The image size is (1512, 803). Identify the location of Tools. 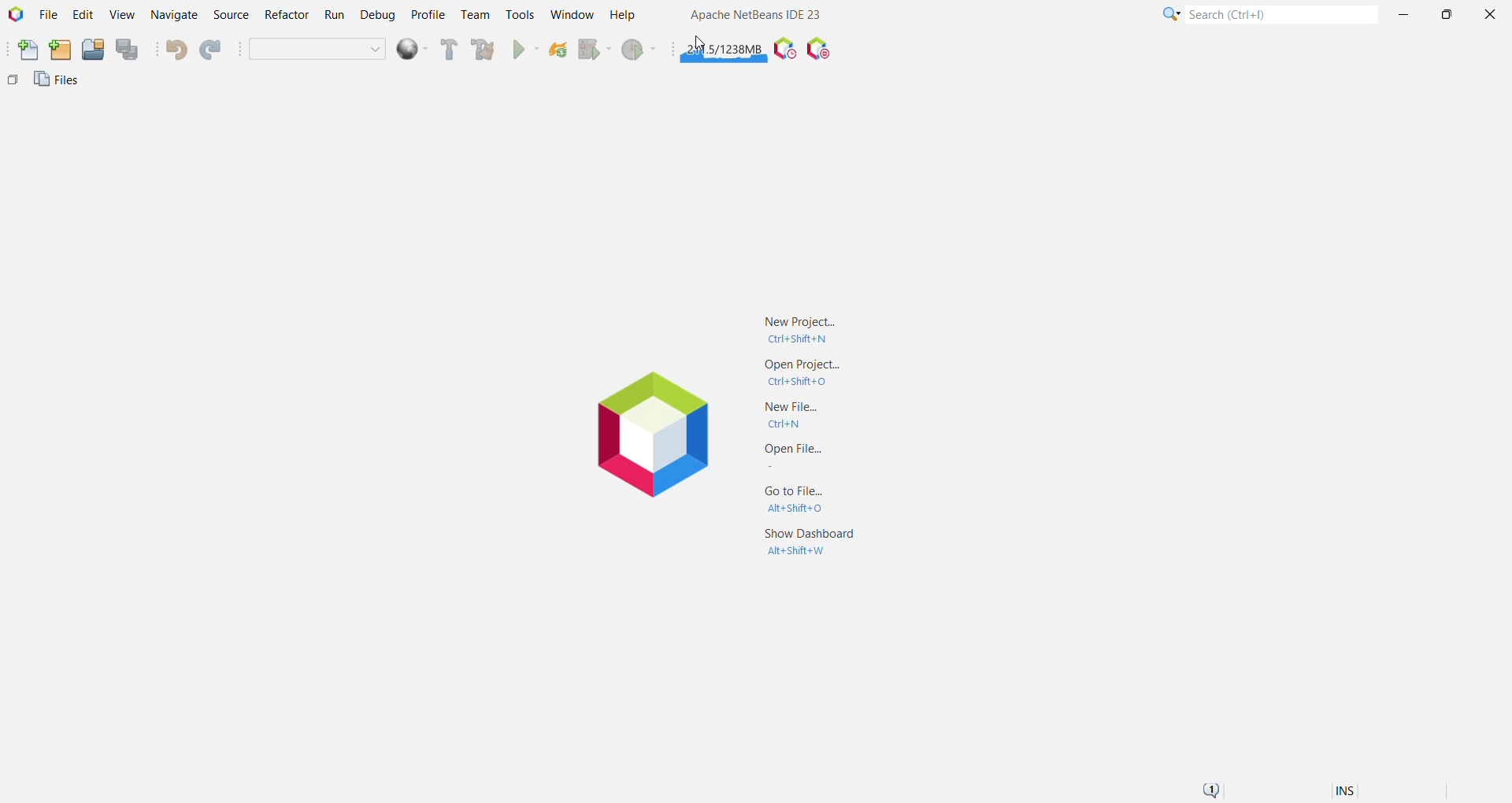
(521, 13).